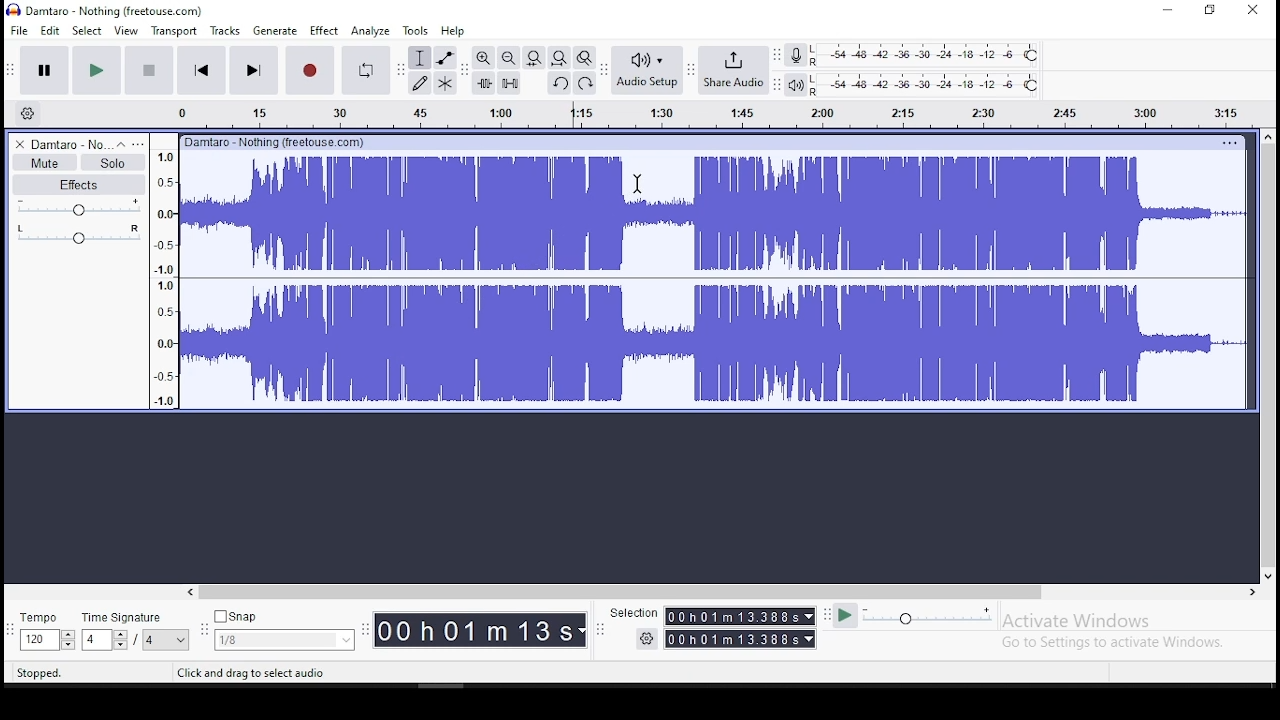  What do you see at coordinates (931, 618) in the screenshot?
I see `playback speed` at bounding box center [931, 618].